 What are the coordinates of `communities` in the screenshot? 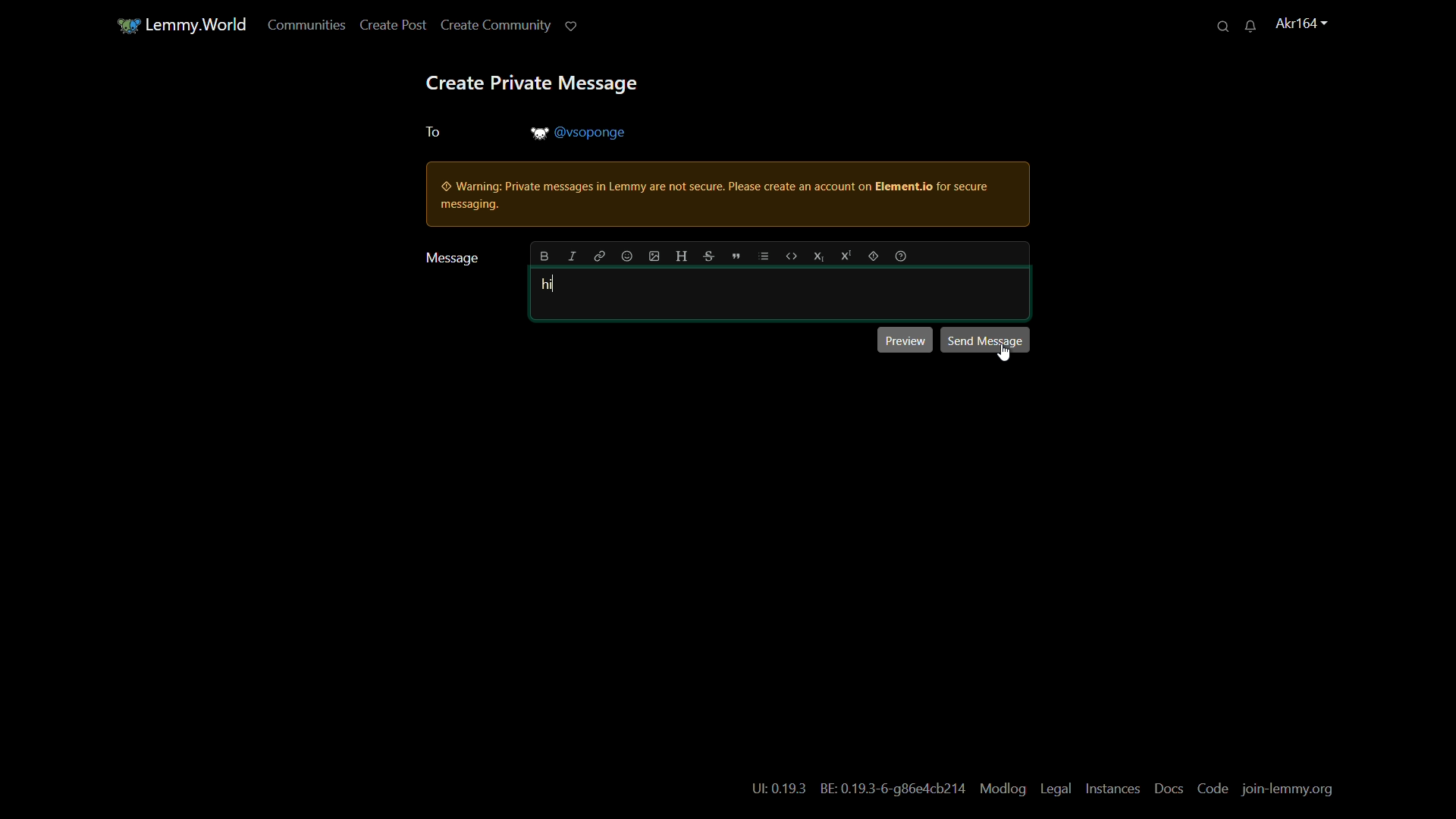 It's located at (299, 27).